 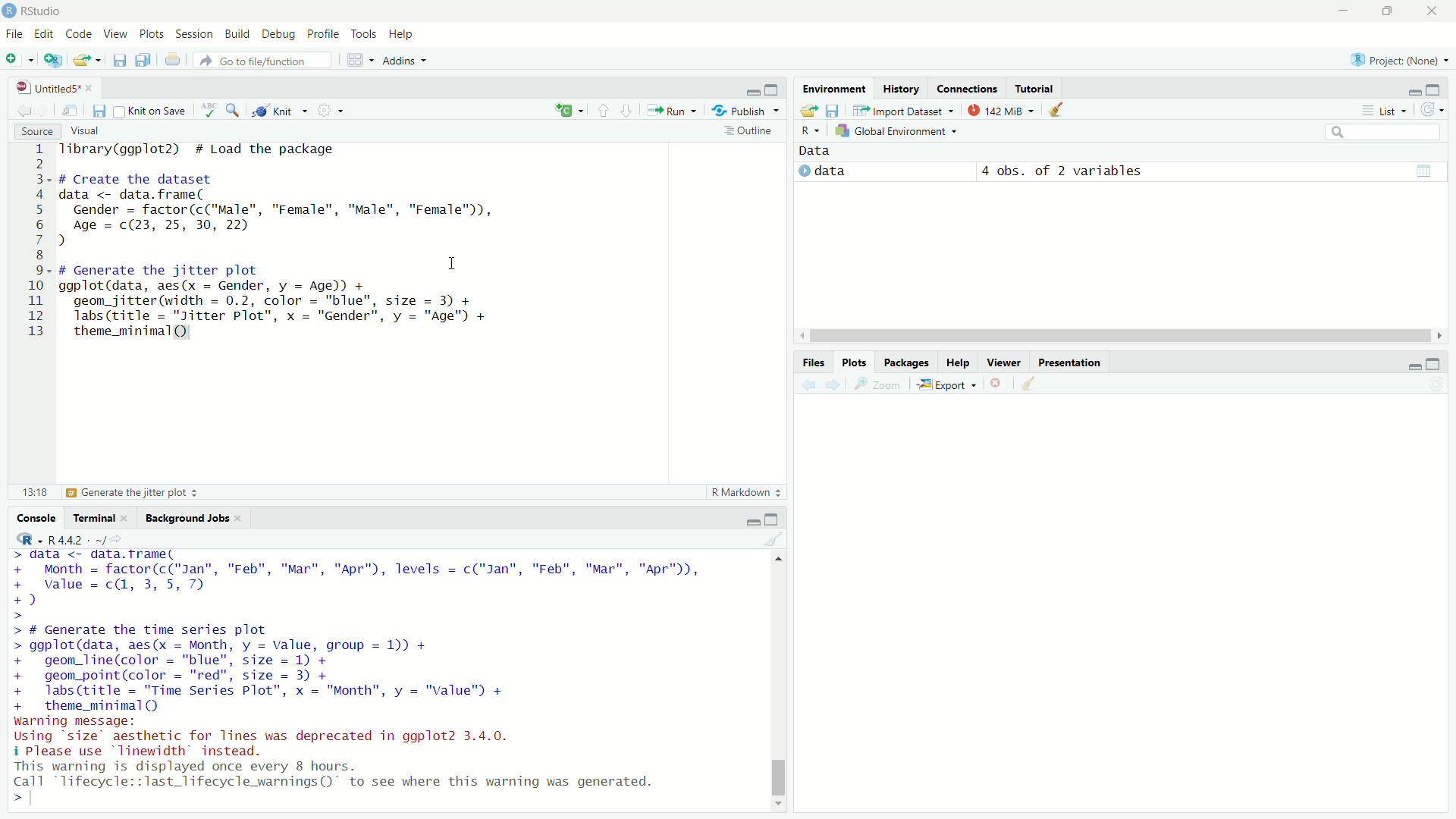 I want to click on close, so click(x=94, y=89).